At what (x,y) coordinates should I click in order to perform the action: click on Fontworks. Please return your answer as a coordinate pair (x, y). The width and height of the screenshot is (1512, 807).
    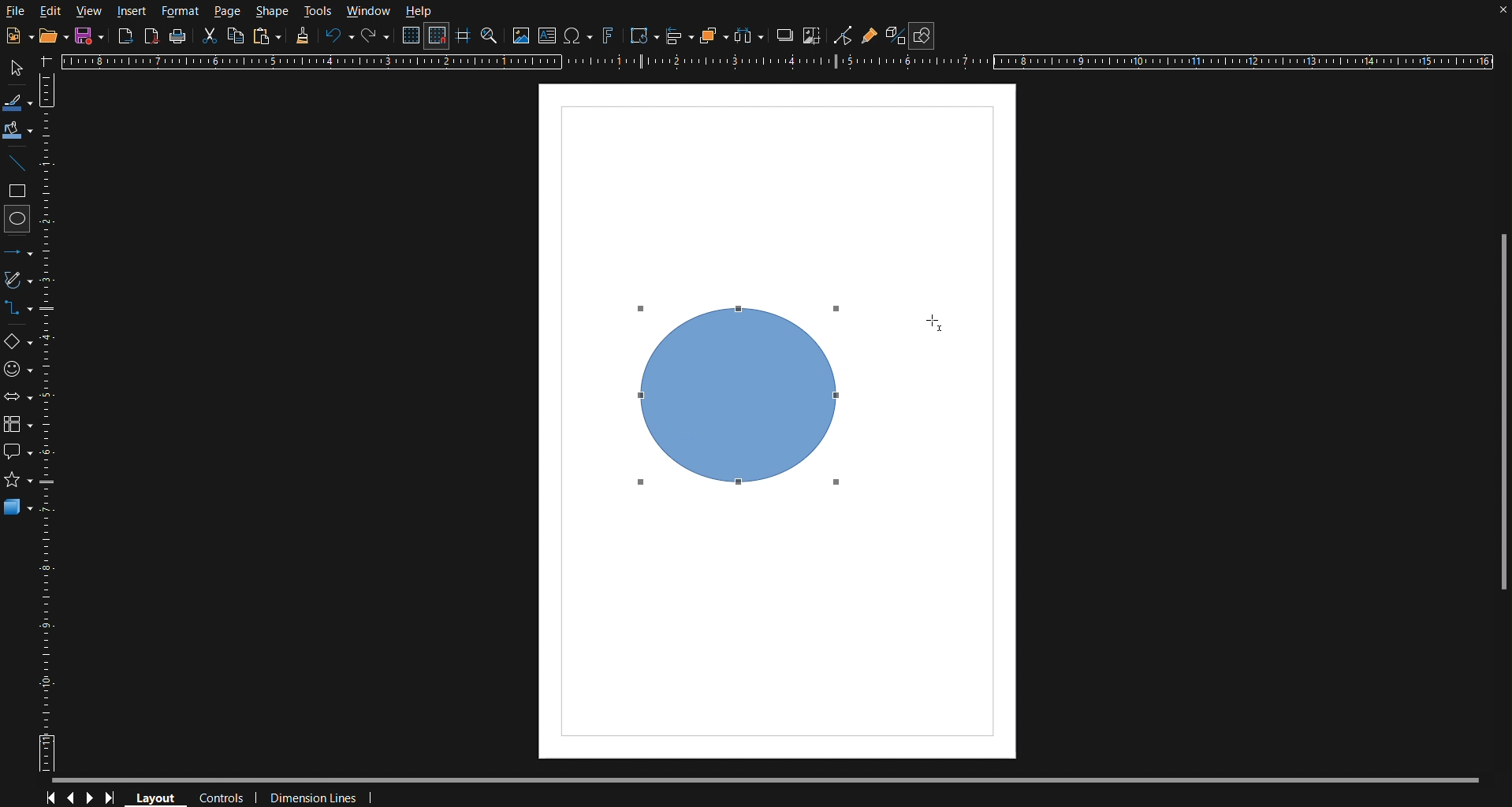
    Looking at the image, I should click on (608, 36).